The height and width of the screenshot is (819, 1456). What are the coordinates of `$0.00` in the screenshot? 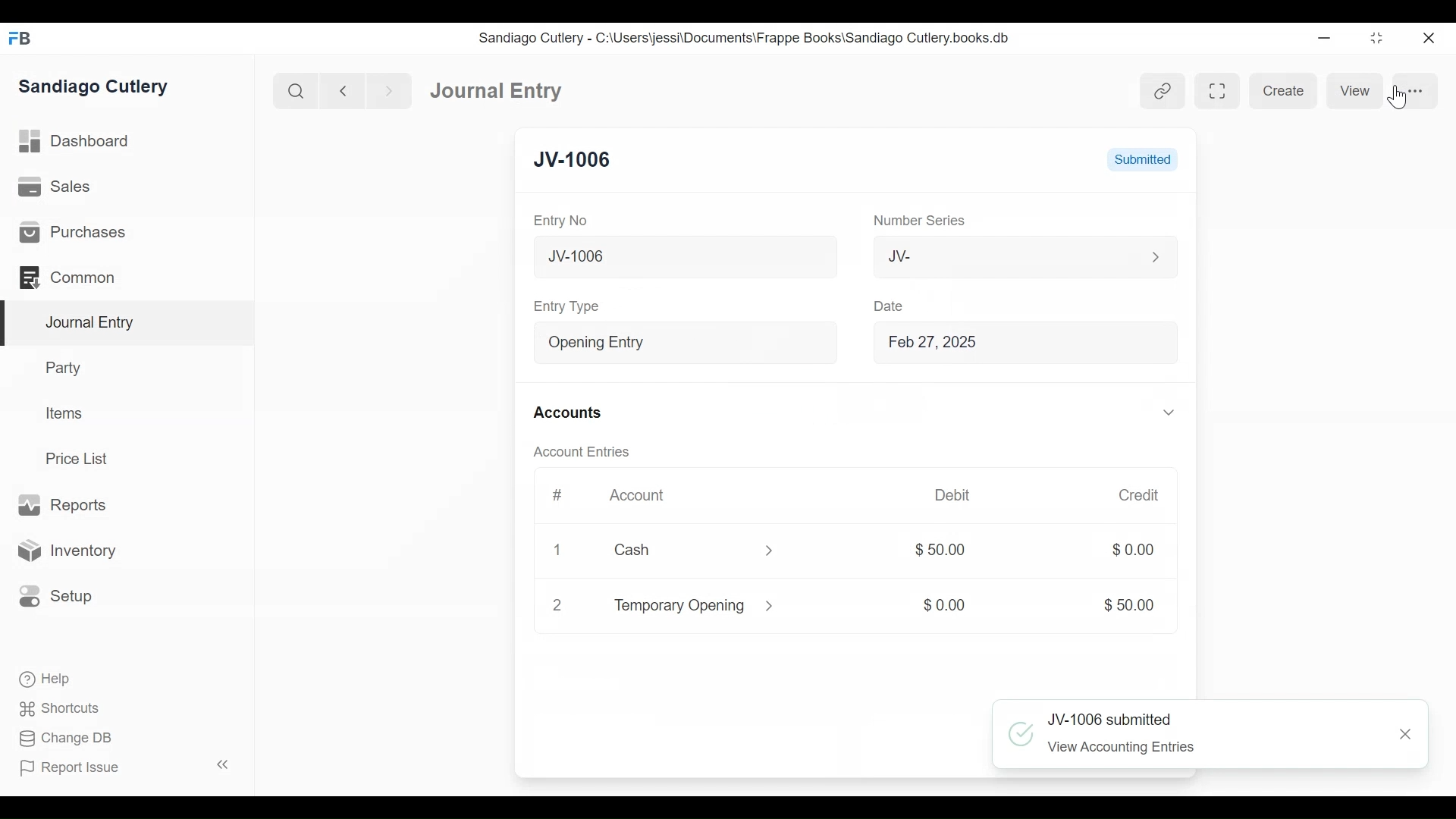 It's located at (940, 606).